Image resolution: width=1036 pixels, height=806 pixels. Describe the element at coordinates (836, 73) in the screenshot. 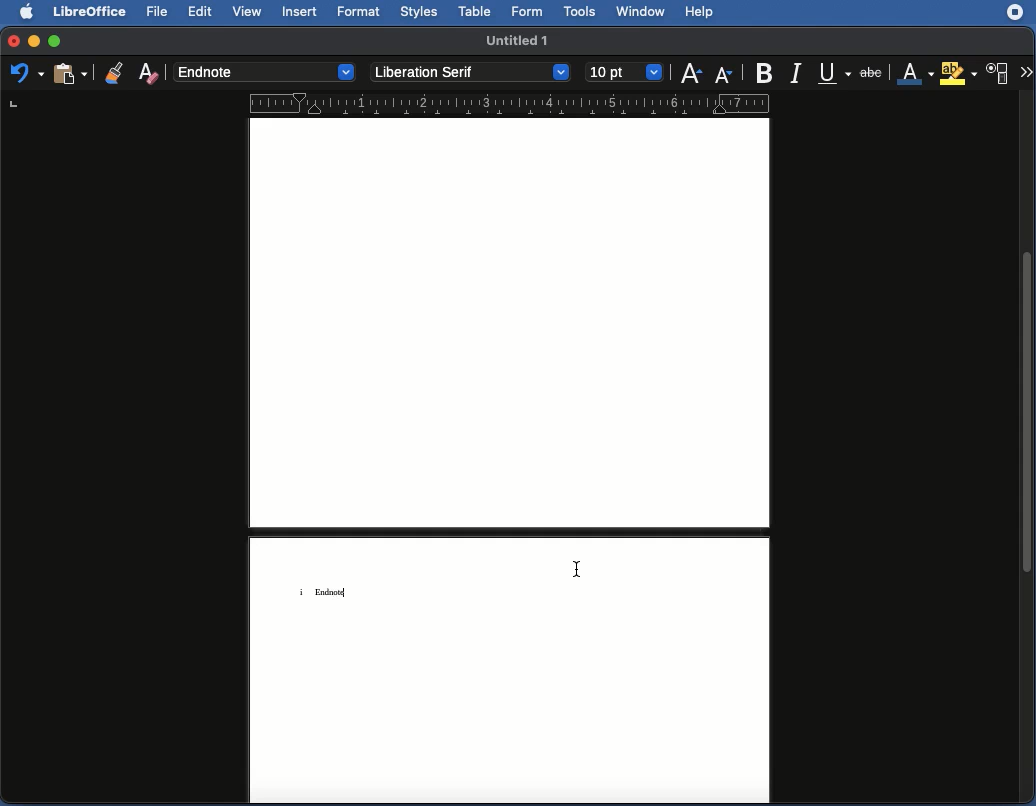

I see `Underline` at that location.